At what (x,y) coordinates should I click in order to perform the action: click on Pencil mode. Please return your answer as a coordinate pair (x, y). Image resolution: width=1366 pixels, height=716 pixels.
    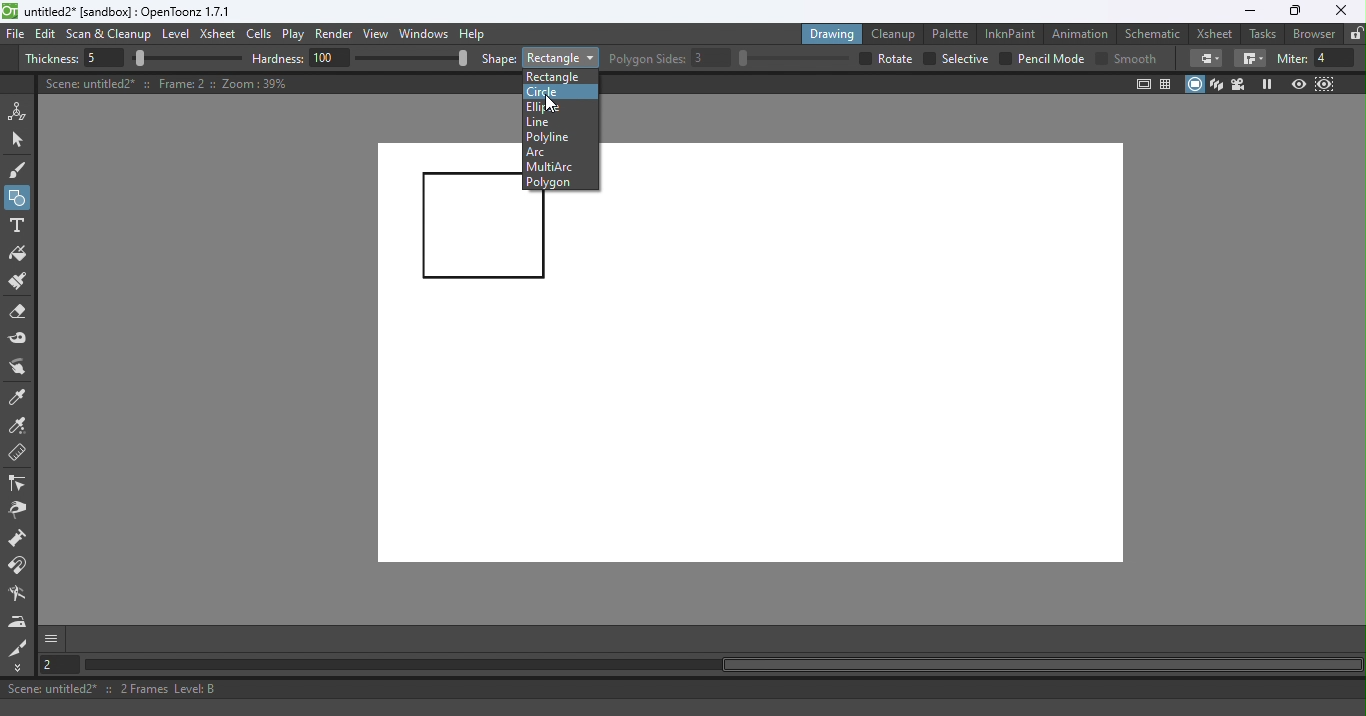
    Looking at the image, I should click on (1050, 59).